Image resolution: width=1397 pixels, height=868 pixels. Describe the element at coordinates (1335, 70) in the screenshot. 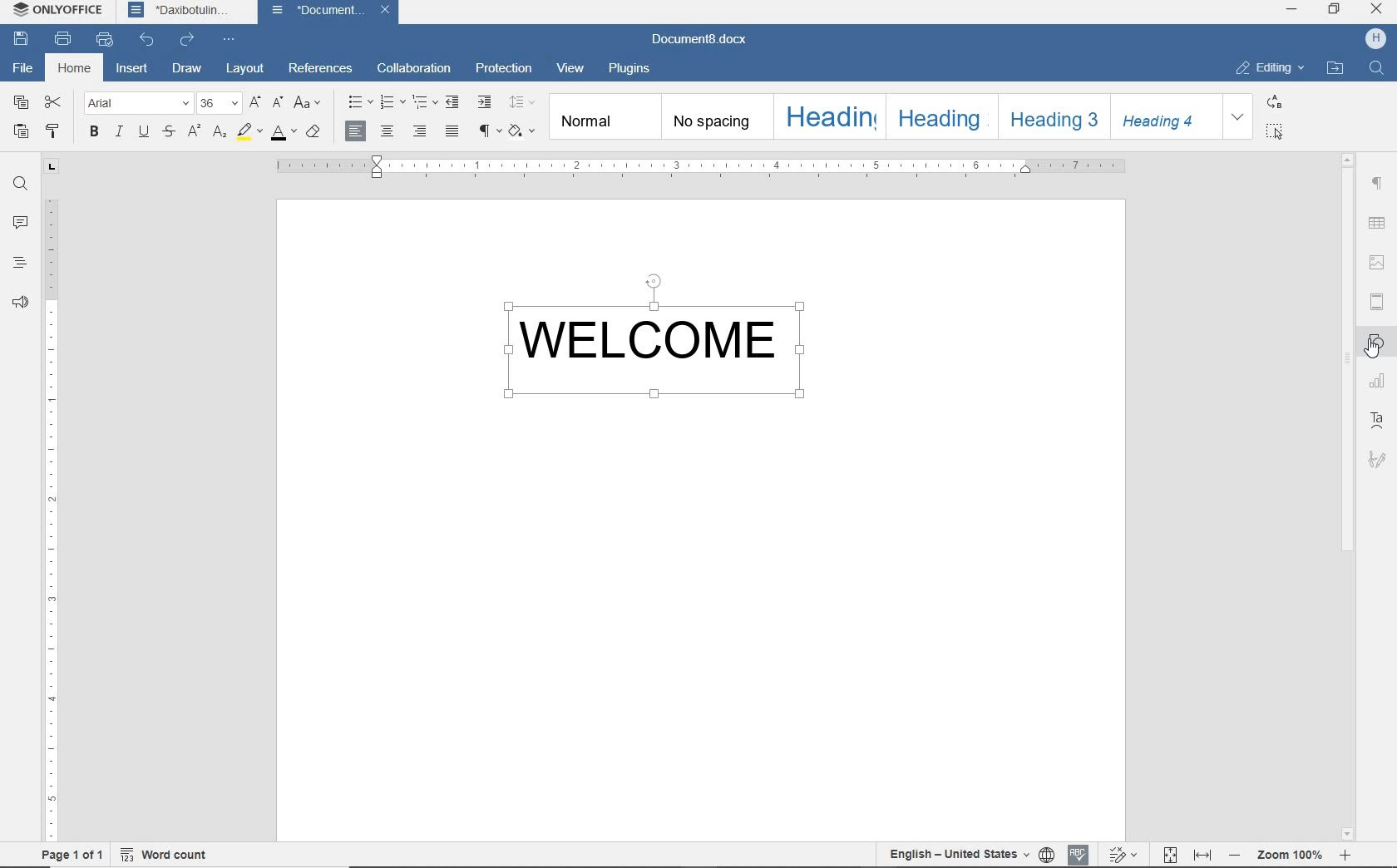

I see `OPEN FILE LOCATION` at that location.